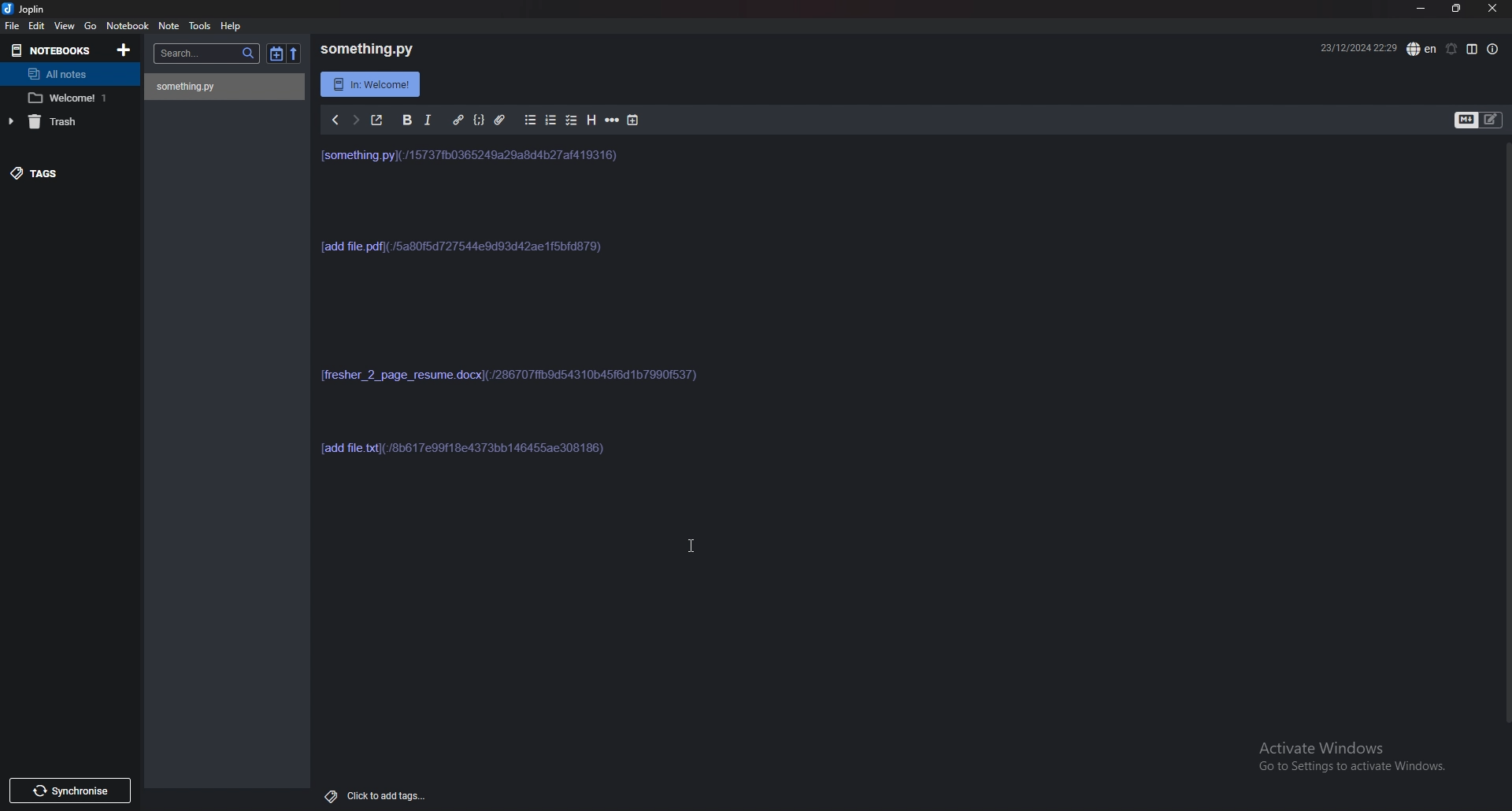  I want to click on Search, so click(209, 53).